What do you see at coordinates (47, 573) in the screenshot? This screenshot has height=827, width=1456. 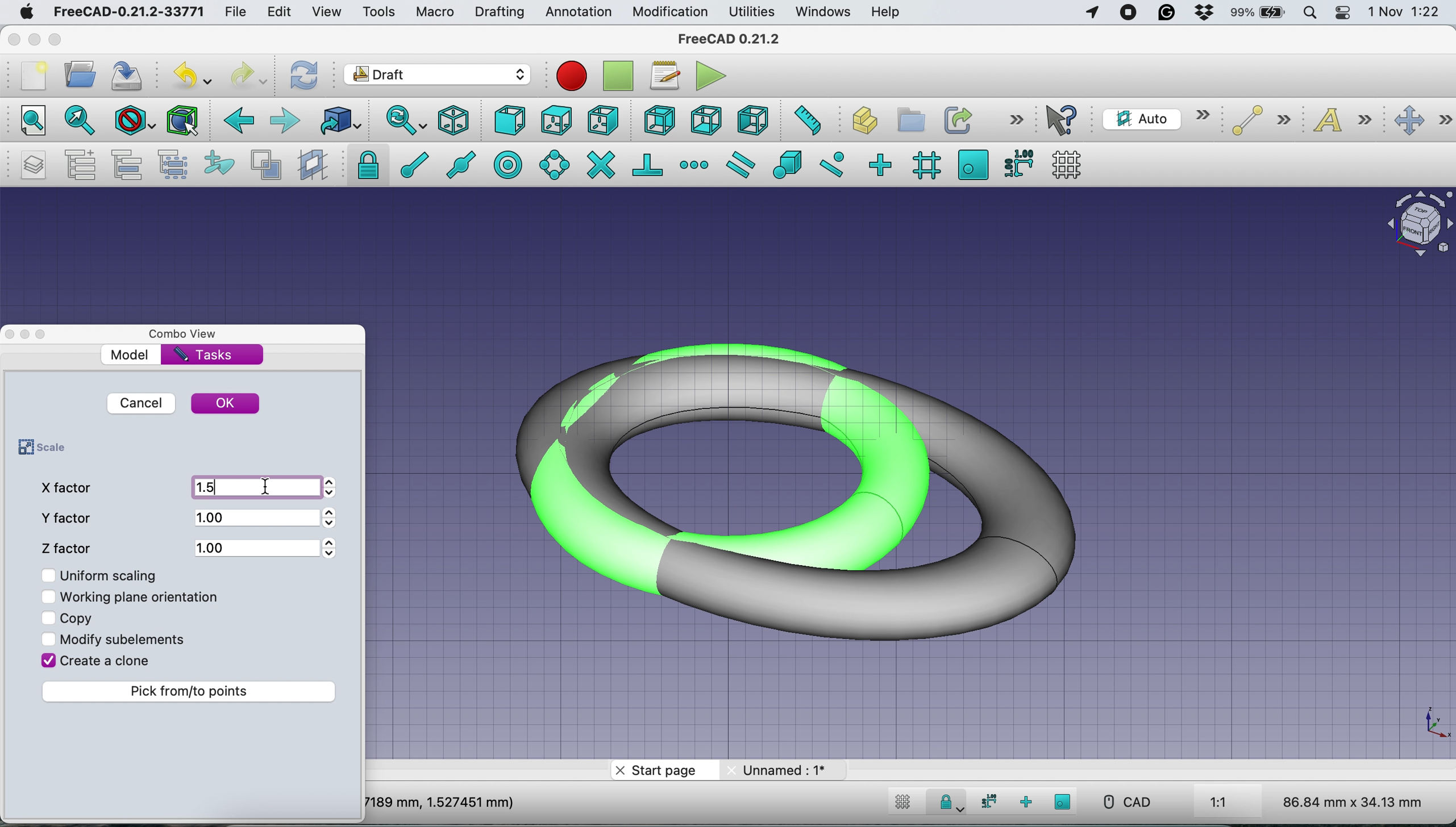 I see `Checkbox` at bounding box center [47, 573].